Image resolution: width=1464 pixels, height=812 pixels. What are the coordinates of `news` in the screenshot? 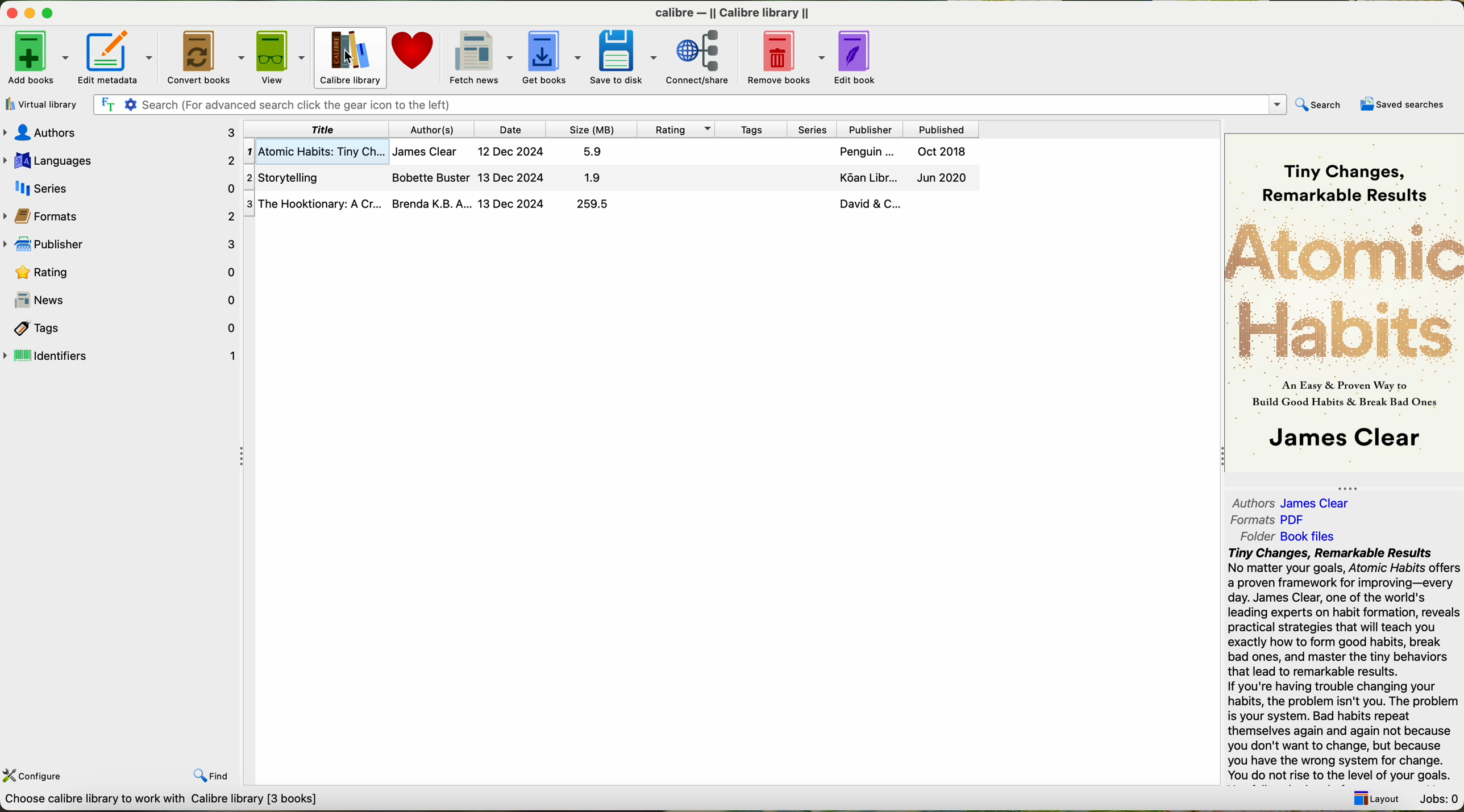 It's located at (121, 300).